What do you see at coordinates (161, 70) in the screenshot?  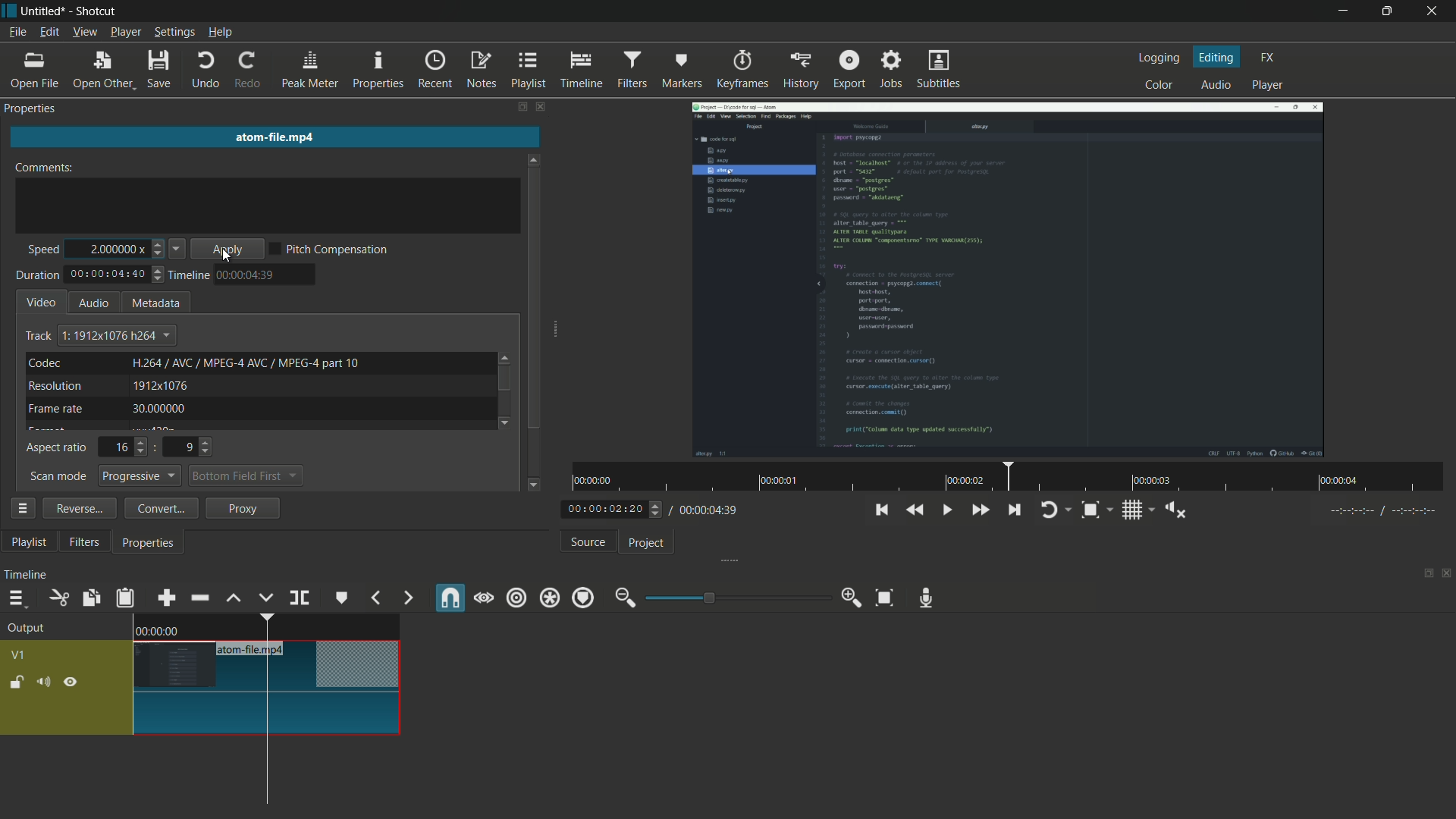 I see `save` at bounding box center [161, 70].